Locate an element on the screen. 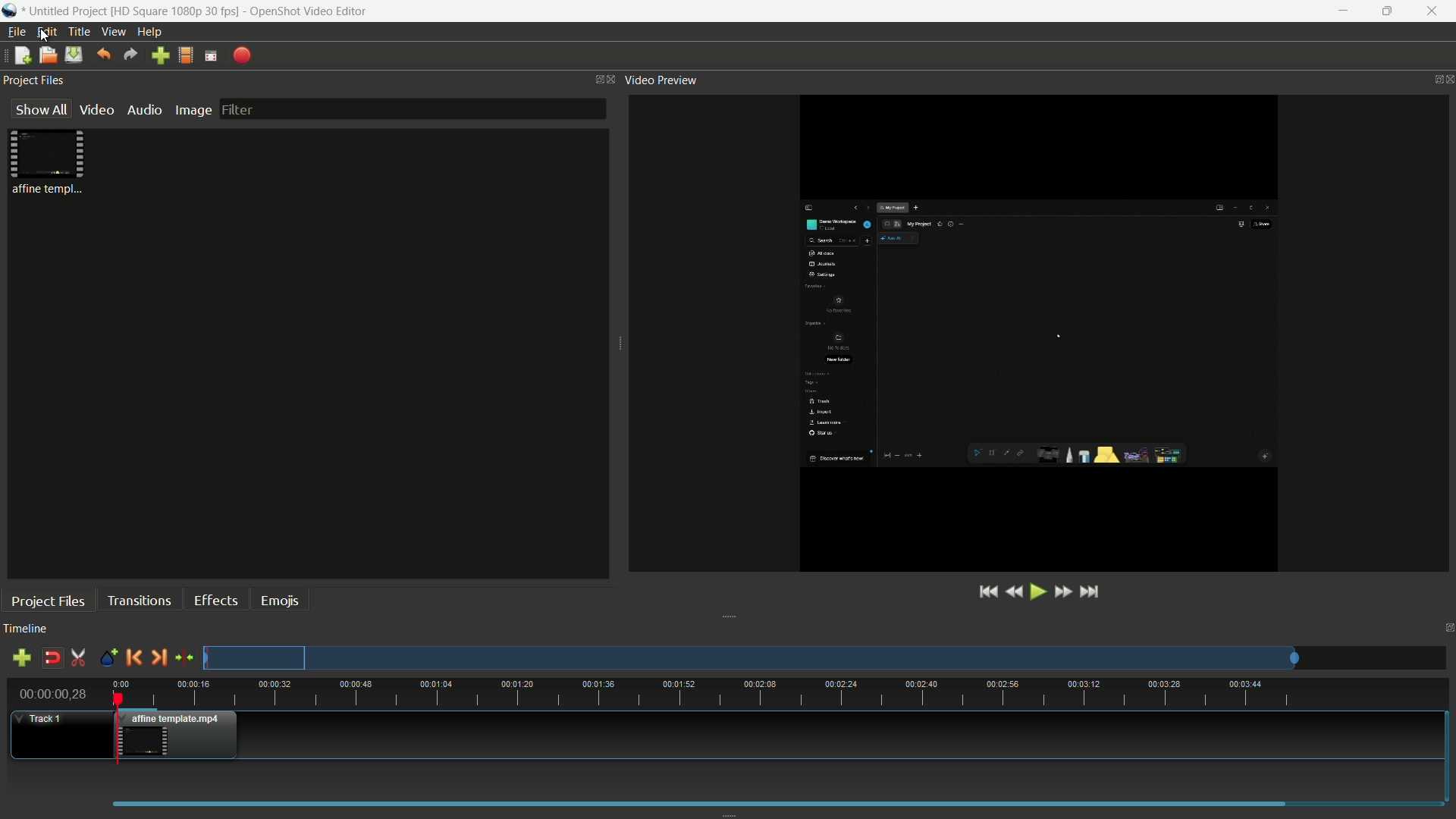 This screenshot has width=1456, height=819. file menu is located at coordinates (15, 32).